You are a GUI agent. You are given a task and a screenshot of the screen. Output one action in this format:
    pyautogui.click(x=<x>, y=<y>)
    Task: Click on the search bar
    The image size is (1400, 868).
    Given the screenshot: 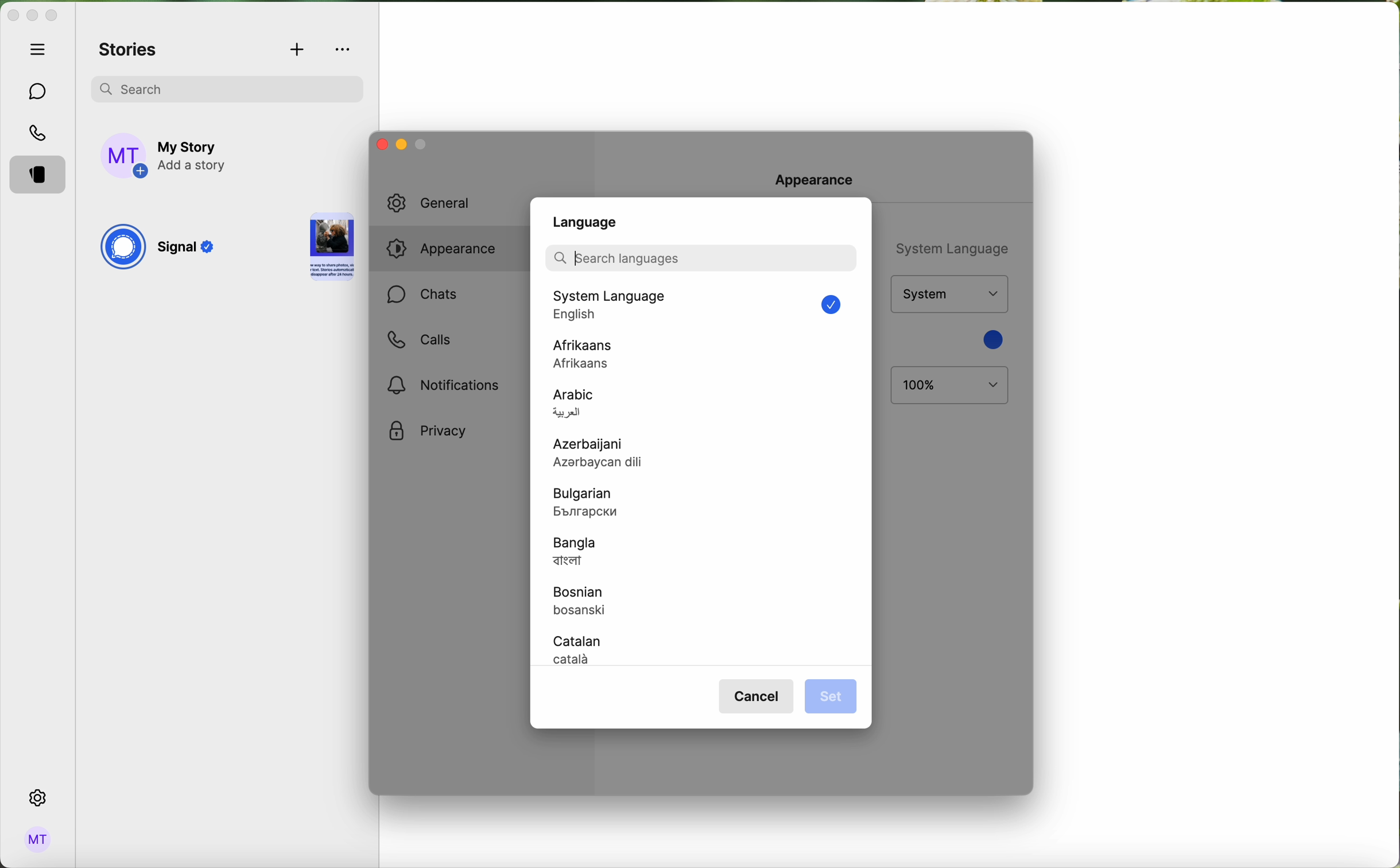 What is the action you would take?
    pyautogui.click(x=227, y=87)
    